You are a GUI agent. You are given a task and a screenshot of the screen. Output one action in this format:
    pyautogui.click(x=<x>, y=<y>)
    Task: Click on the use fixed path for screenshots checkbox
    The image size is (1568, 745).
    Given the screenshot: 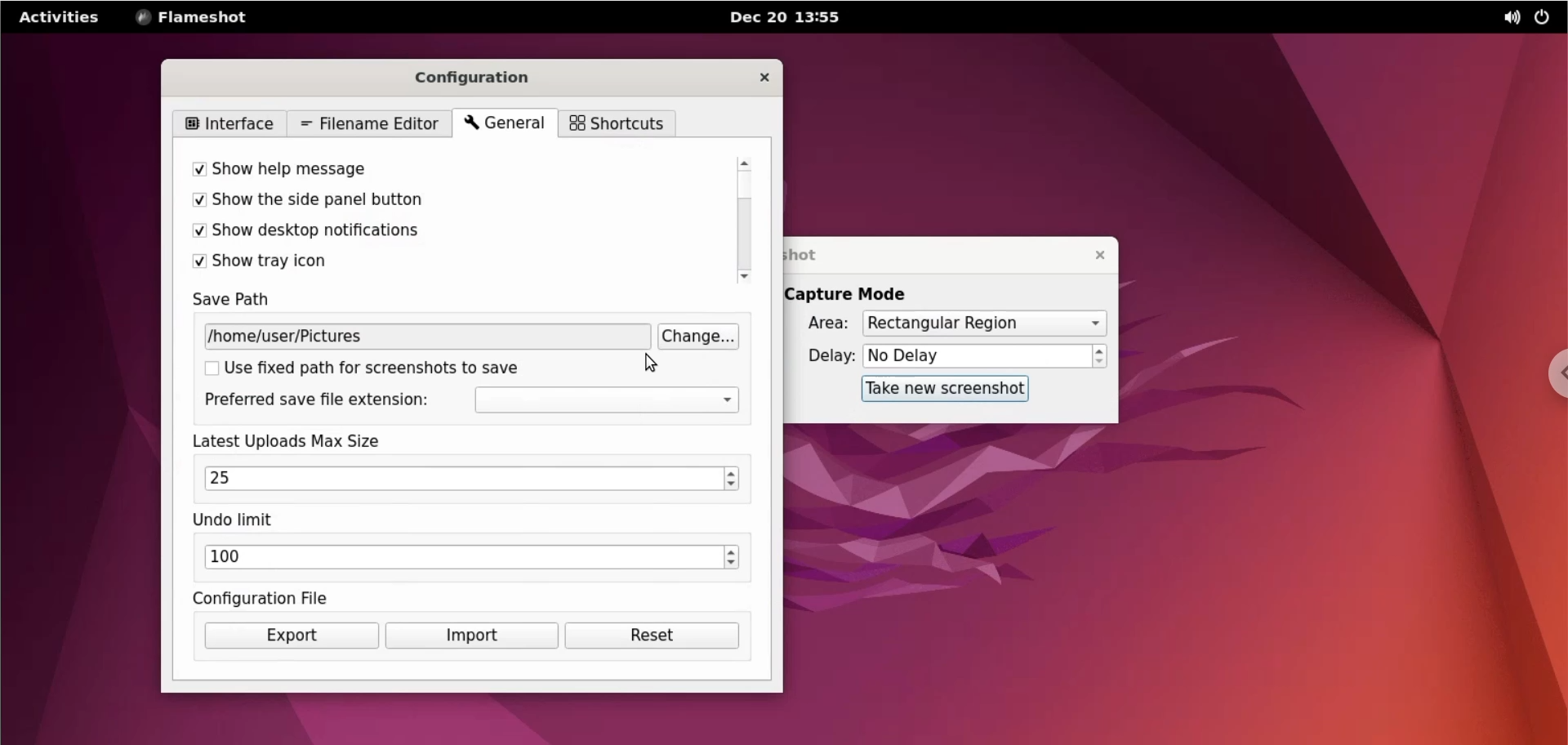 What is the action you would take?
    pyautogui.click(x=394, y=370)
    